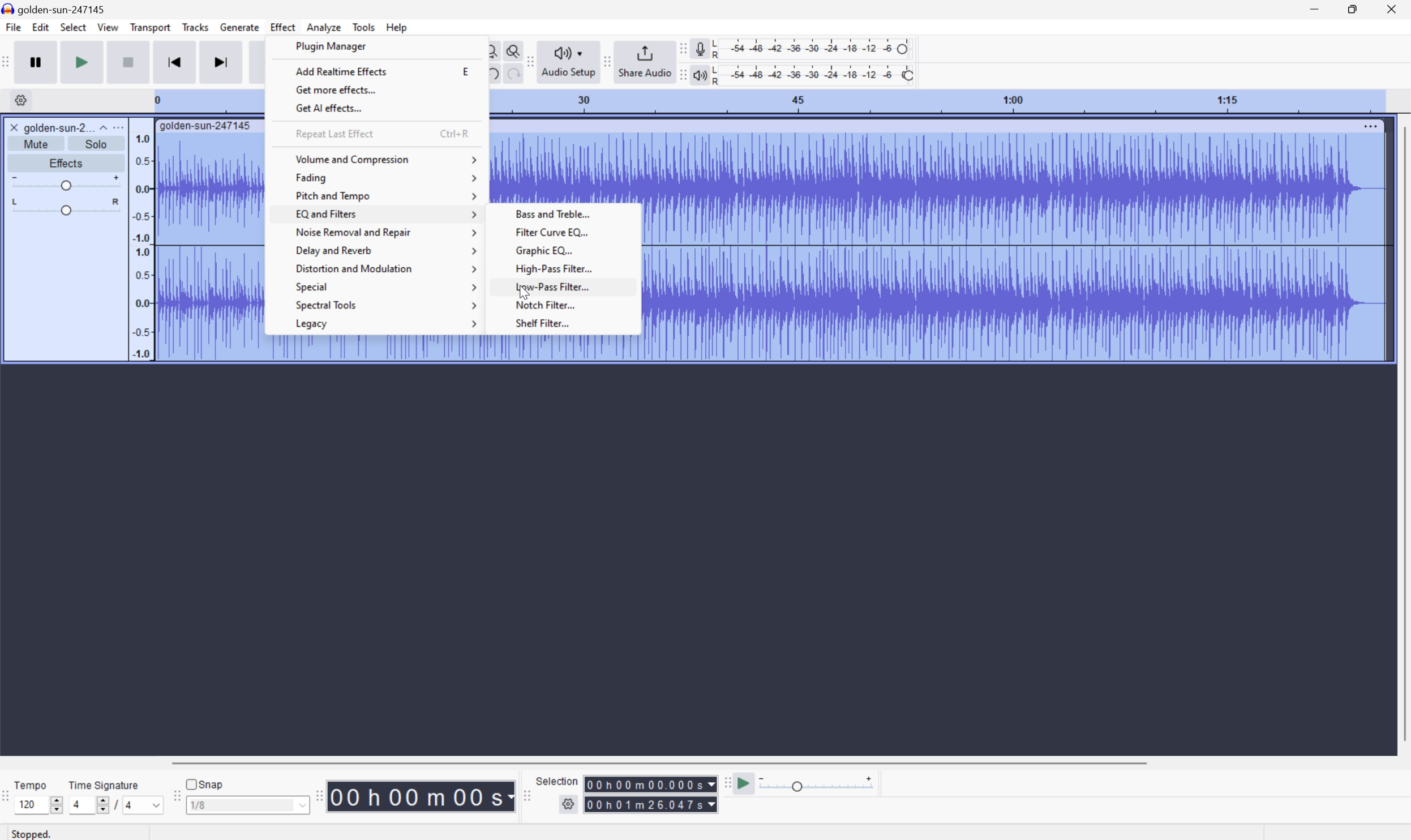  What do you see at coordinates (571, 233) in the screenshot?
I see `Filter Curve EQ...` at bounding box center [571, 233].